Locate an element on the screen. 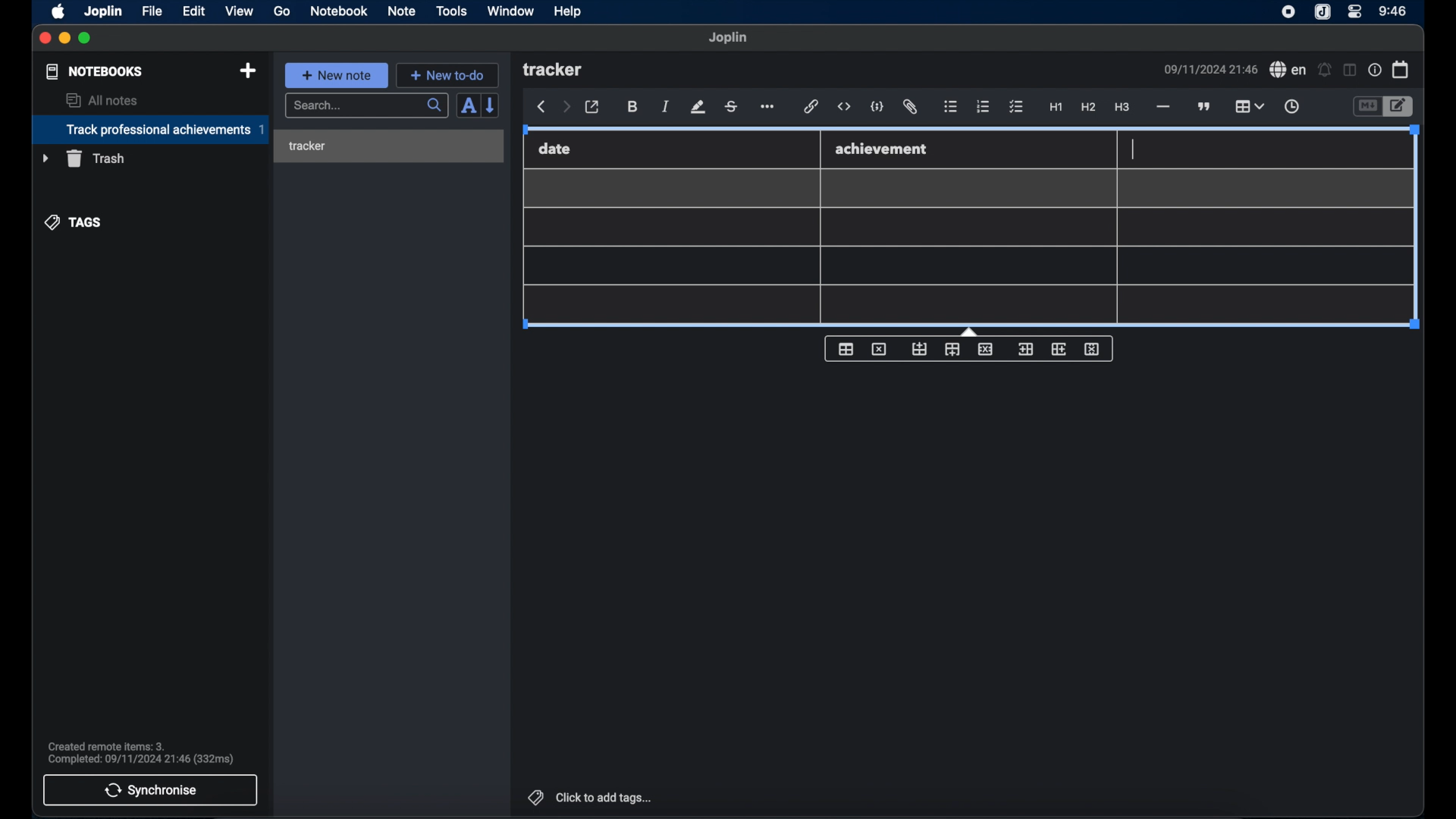 The width and height of the screenshot is (1456, 819). hyperlink is located at coordinates (811, 107).